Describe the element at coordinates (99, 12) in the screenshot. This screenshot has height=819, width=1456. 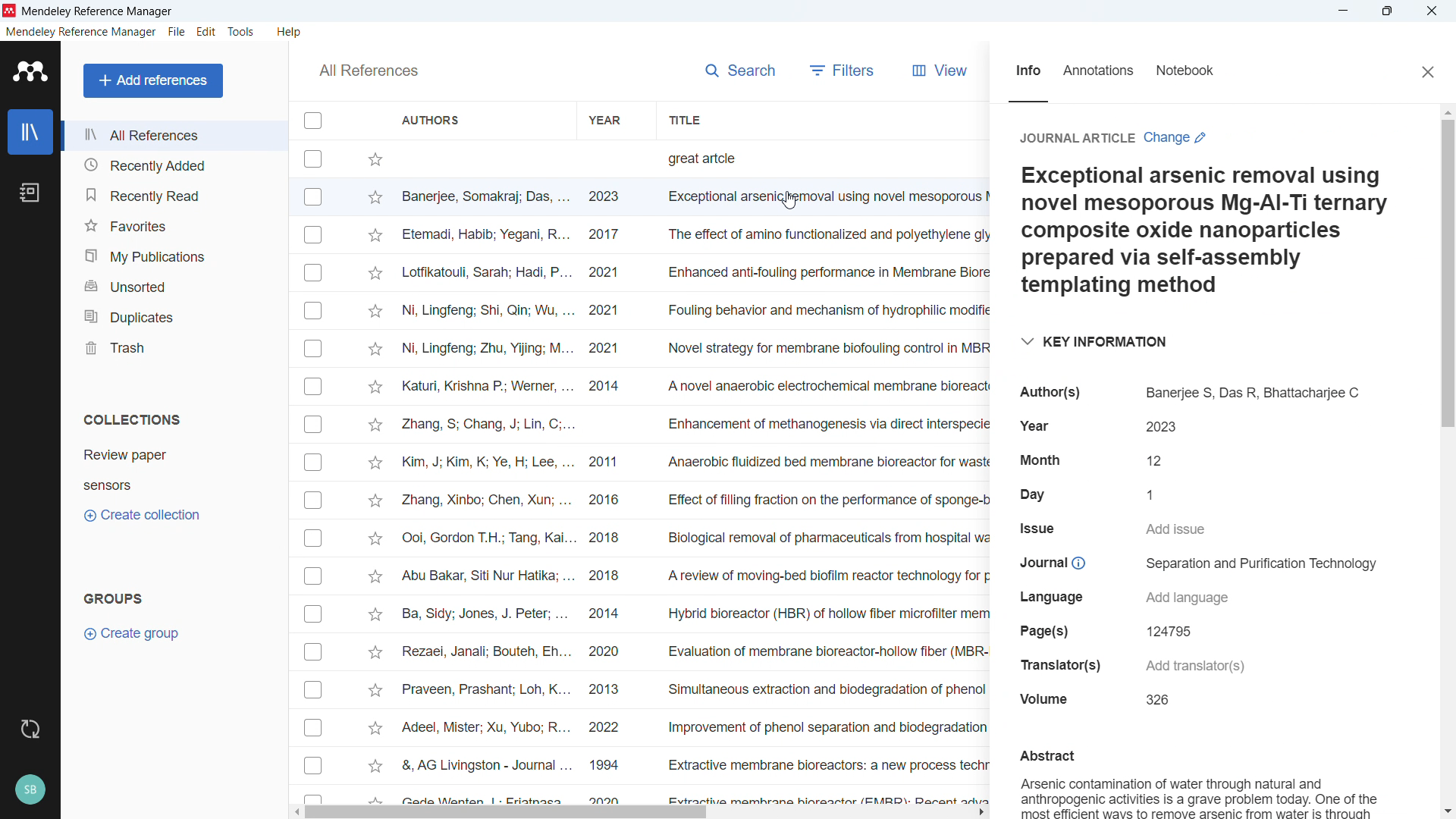
I see `Title ` at that location.